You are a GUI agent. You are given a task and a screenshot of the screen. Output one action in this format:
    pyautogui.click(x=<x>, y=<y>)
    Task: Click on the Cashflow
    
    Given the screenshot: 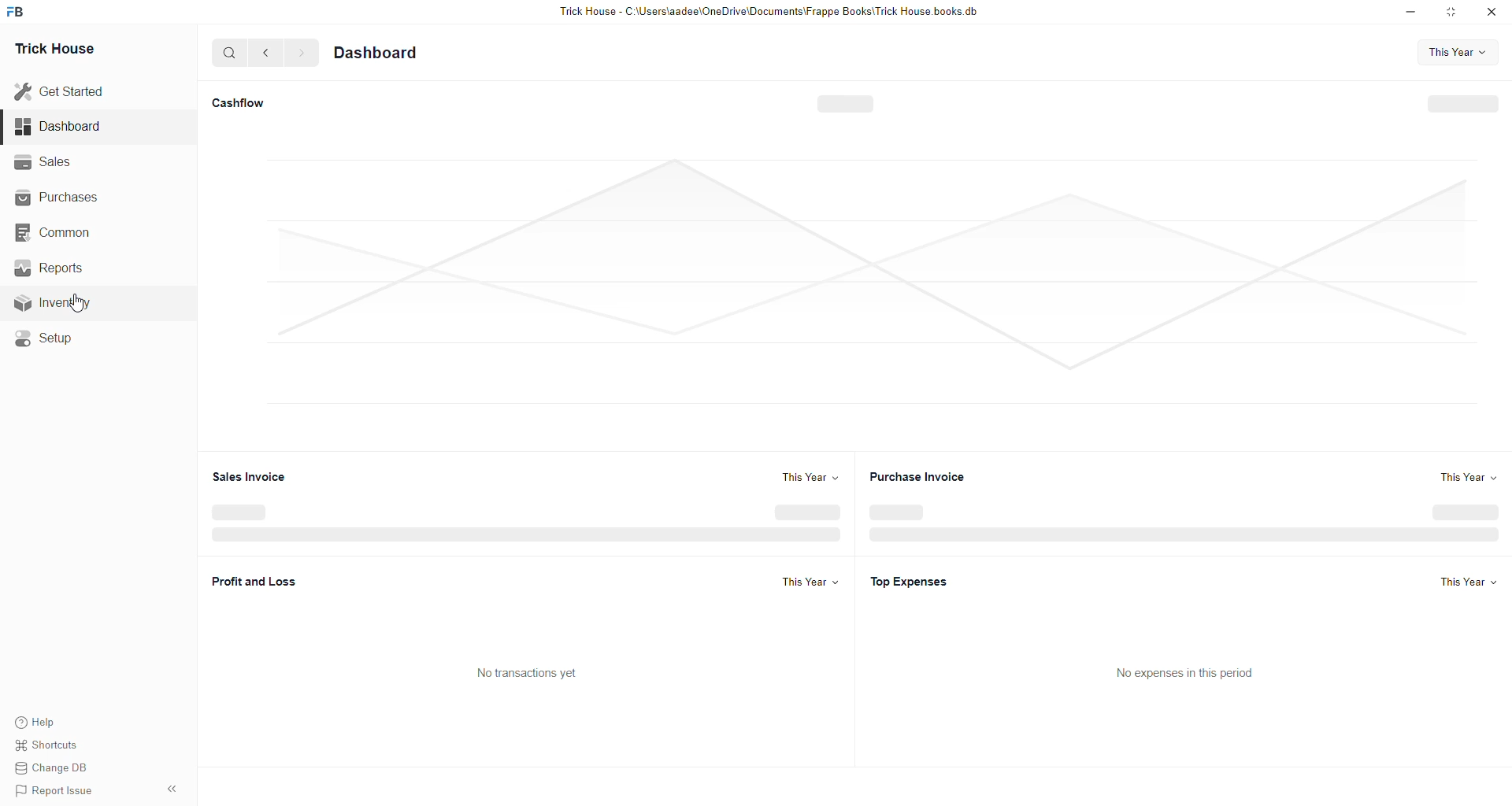 What is the action you would take?
    pyautogui.click(x=235, y=104)
    